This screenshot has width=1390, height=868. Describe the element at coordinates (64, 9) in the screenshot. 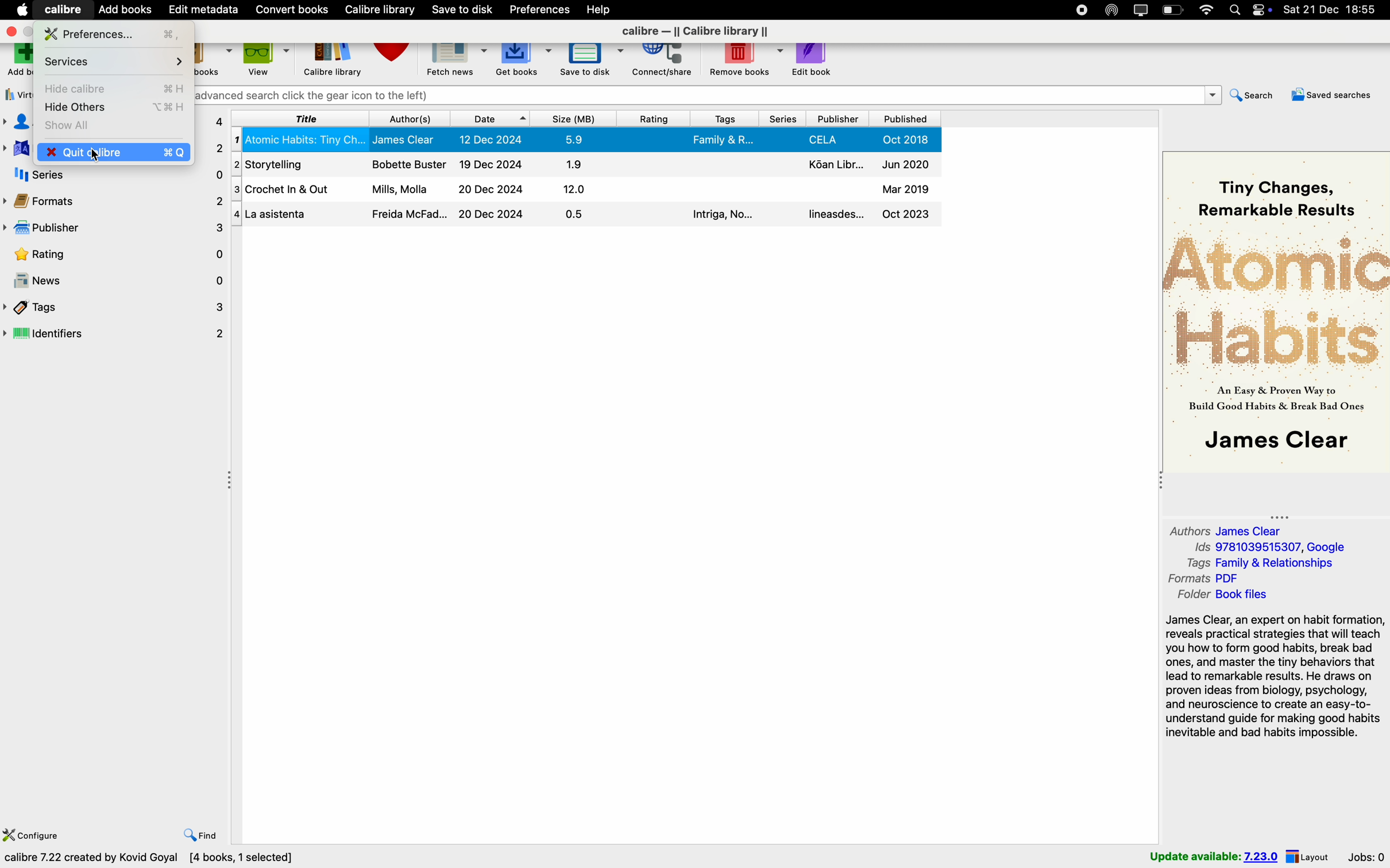

I see `Calibre` at that location.